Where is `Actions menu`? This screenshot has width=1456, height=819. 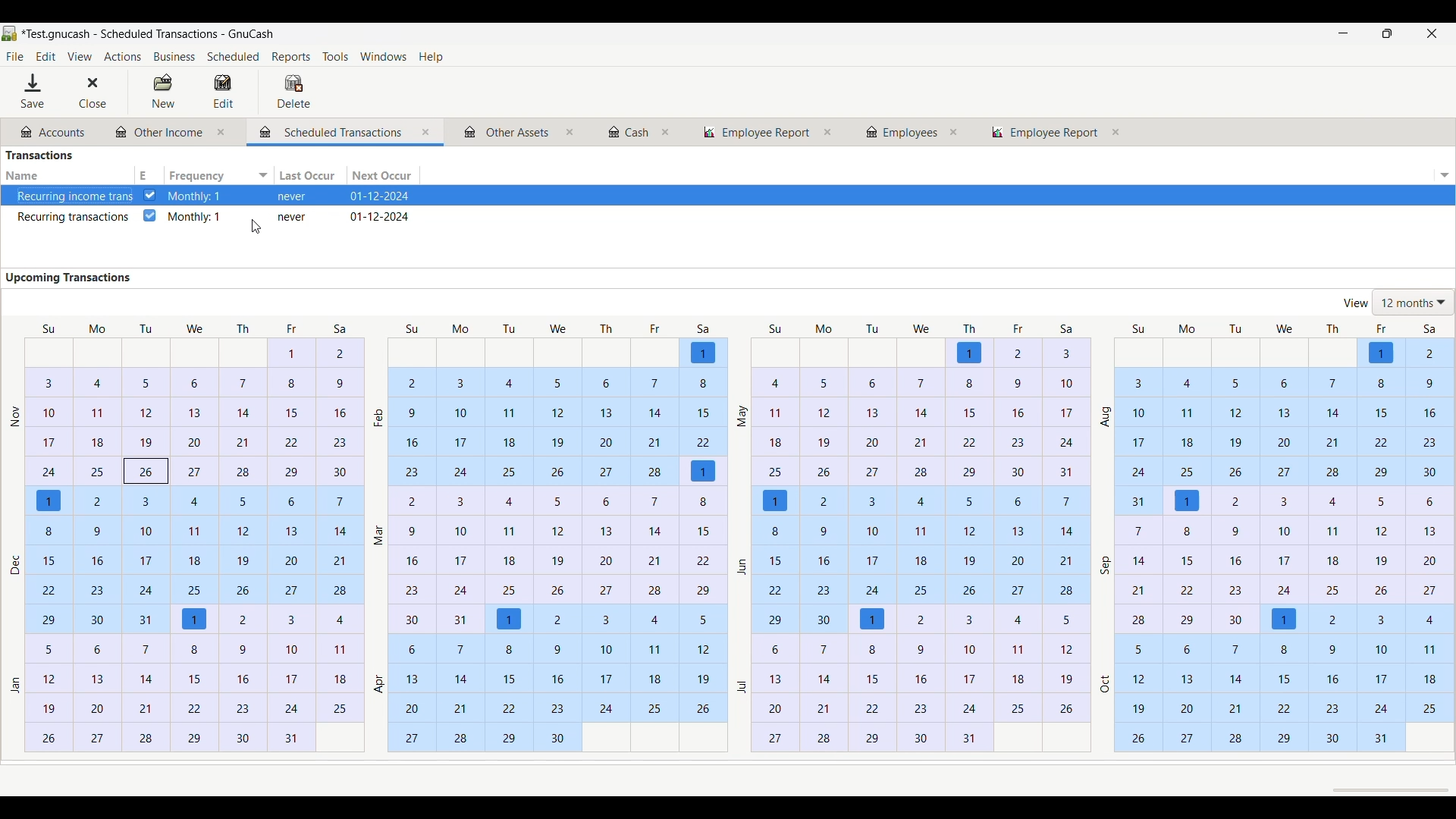
Actions menu is located at coordinates (121, 56).